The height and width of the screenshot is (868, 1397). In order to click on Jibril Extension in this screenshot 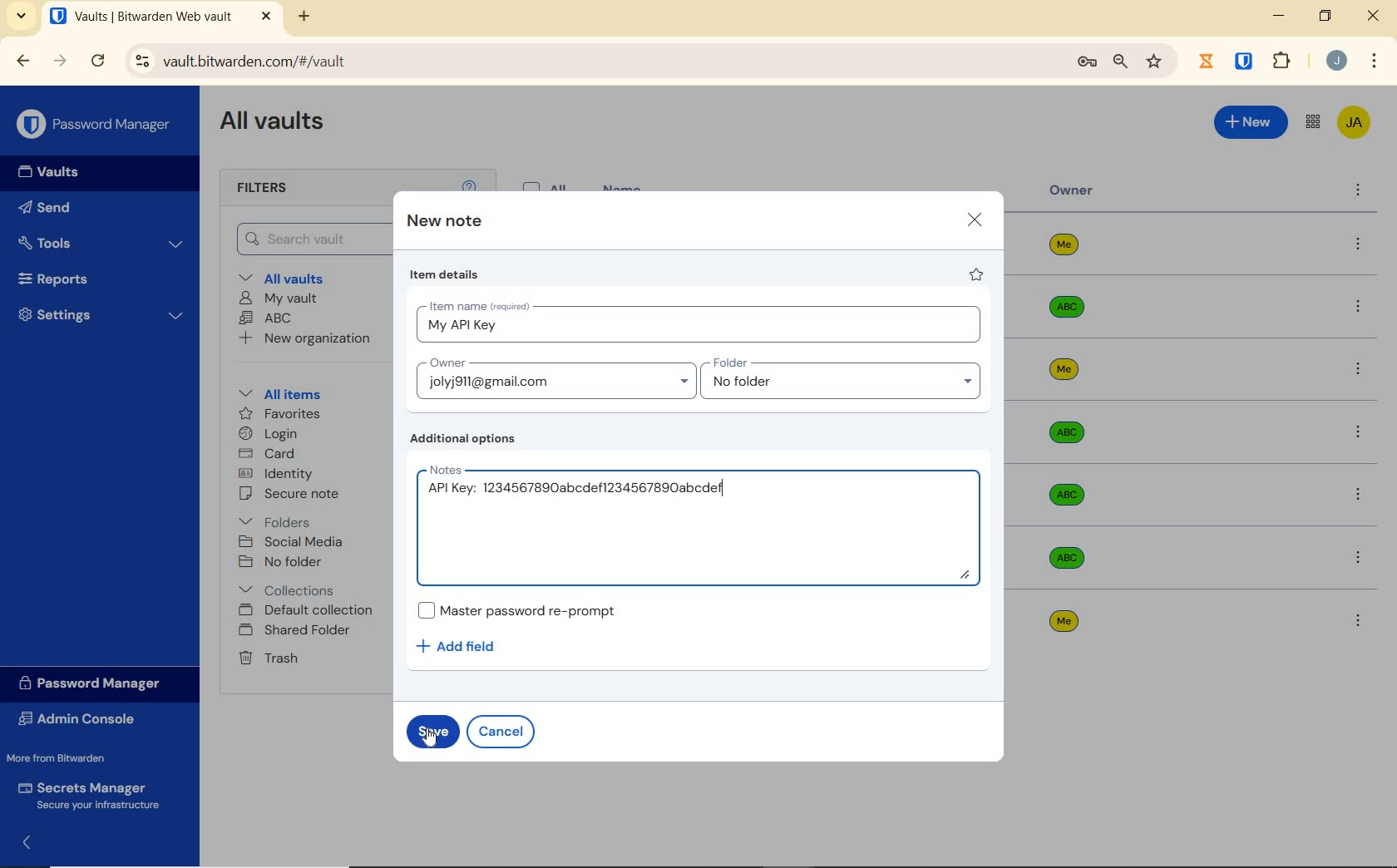, I will do `click(1208, 61)`.